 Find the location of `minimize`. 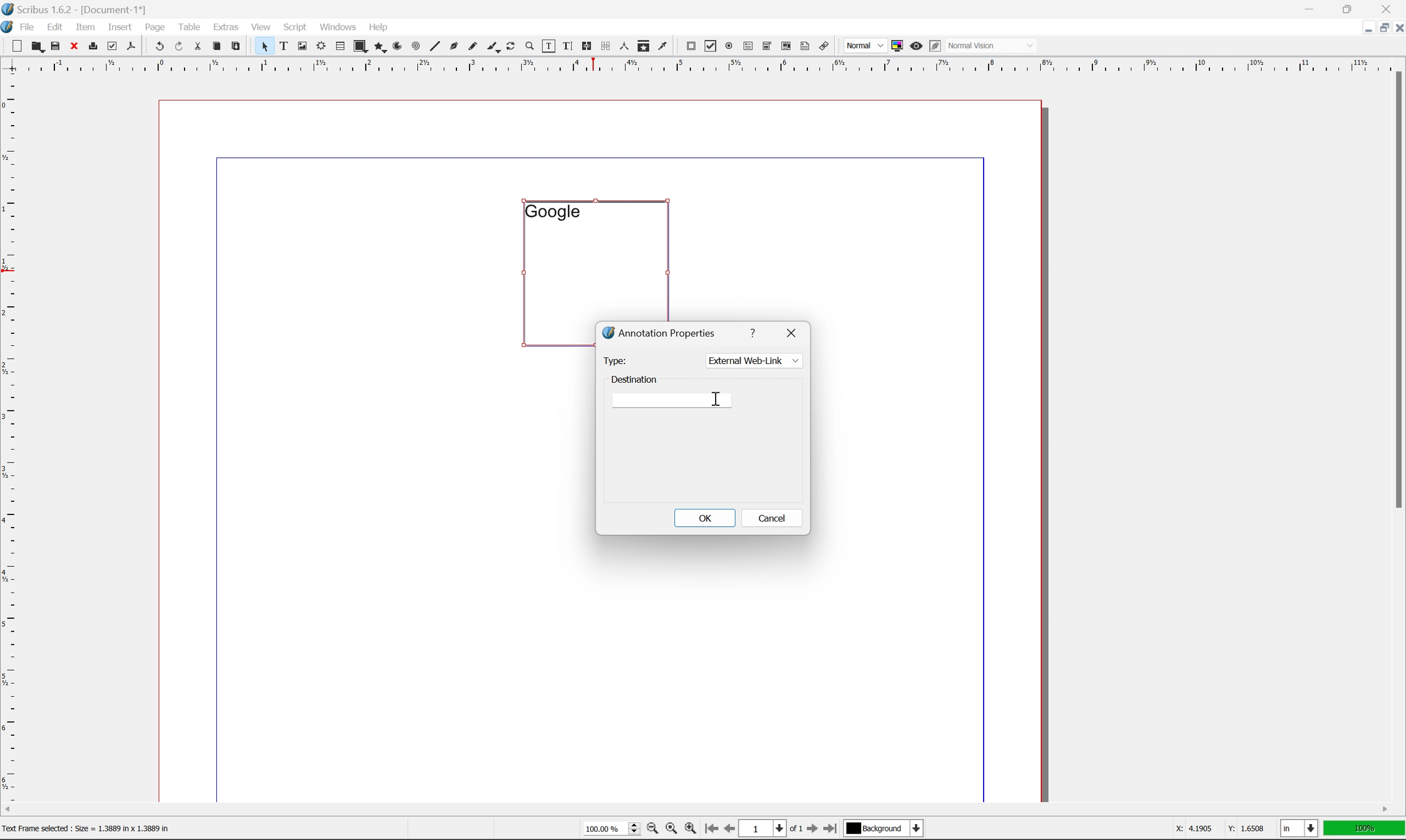

minimize is located at coordinates (1361, 27).